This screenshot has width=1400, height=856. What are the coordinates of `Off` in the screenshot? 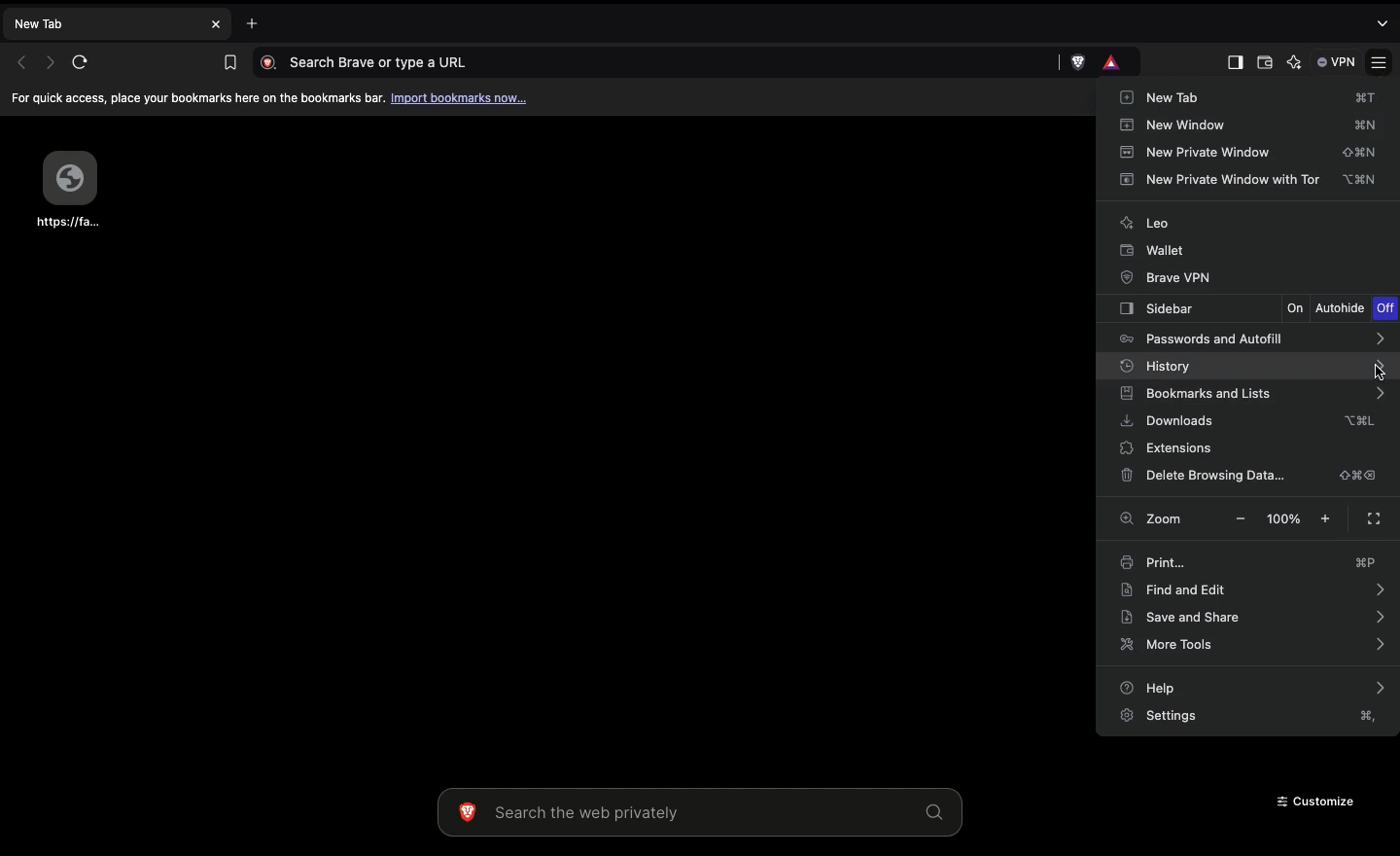 It's located at (1385, 307).